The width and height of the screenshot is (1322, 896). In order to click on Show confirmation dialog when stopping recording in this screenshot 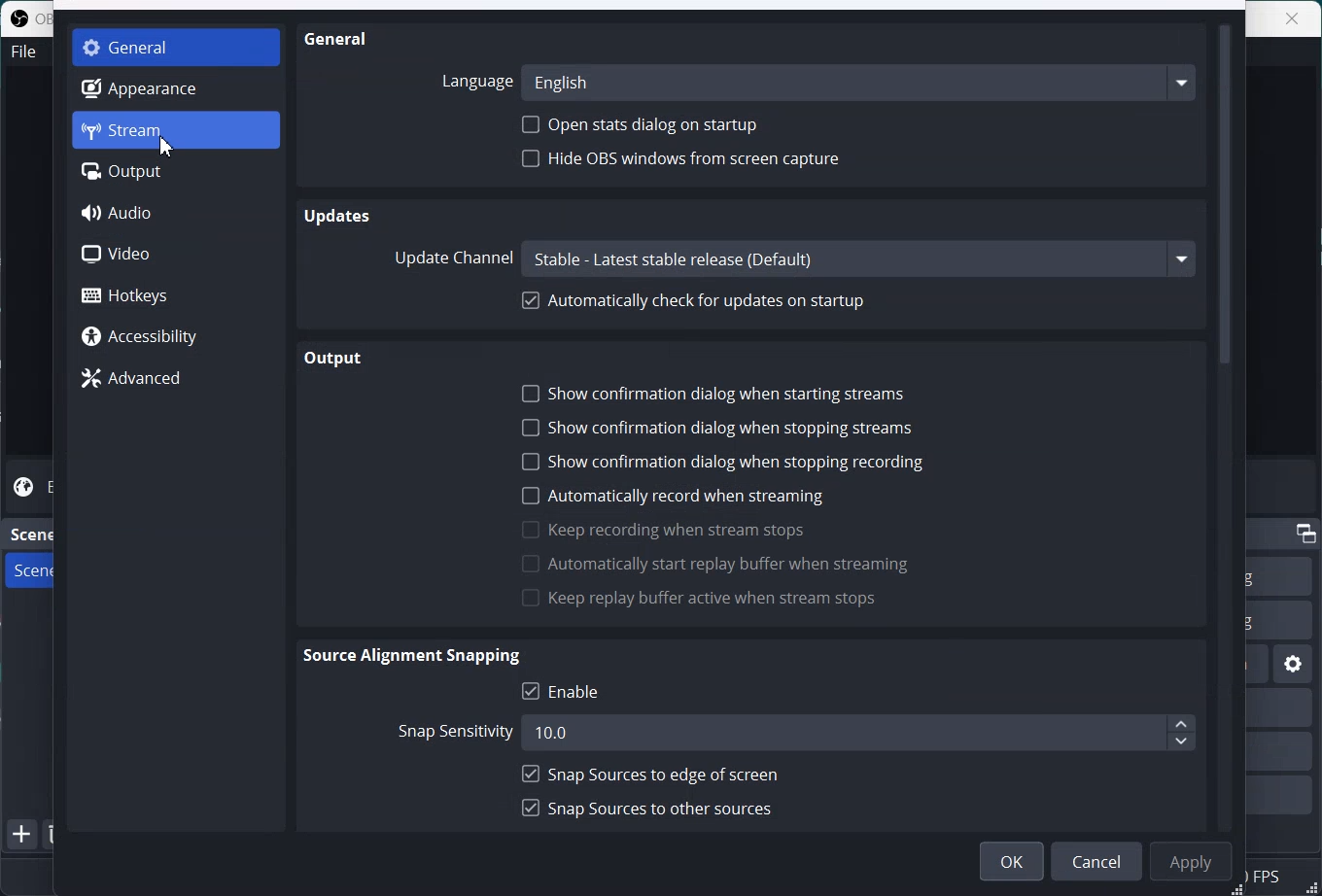, I will do `click(720, 462)`.